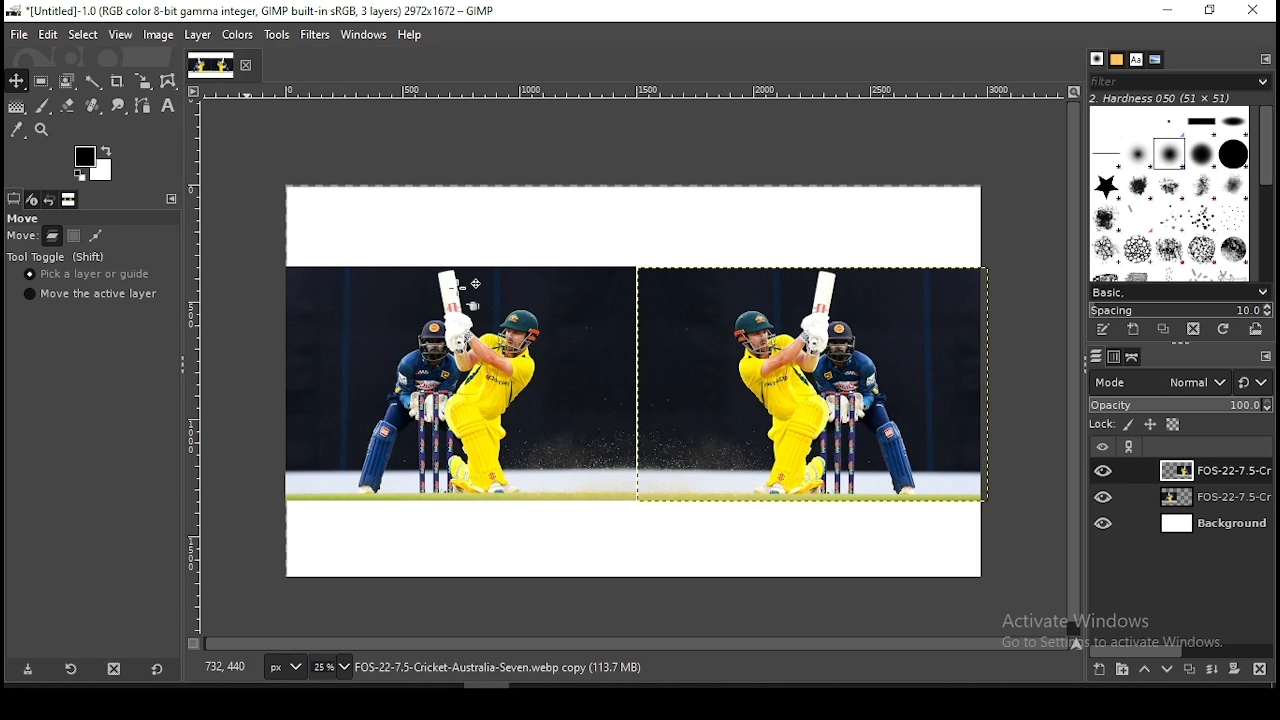  I want to click on layer, so click(1213, 524).